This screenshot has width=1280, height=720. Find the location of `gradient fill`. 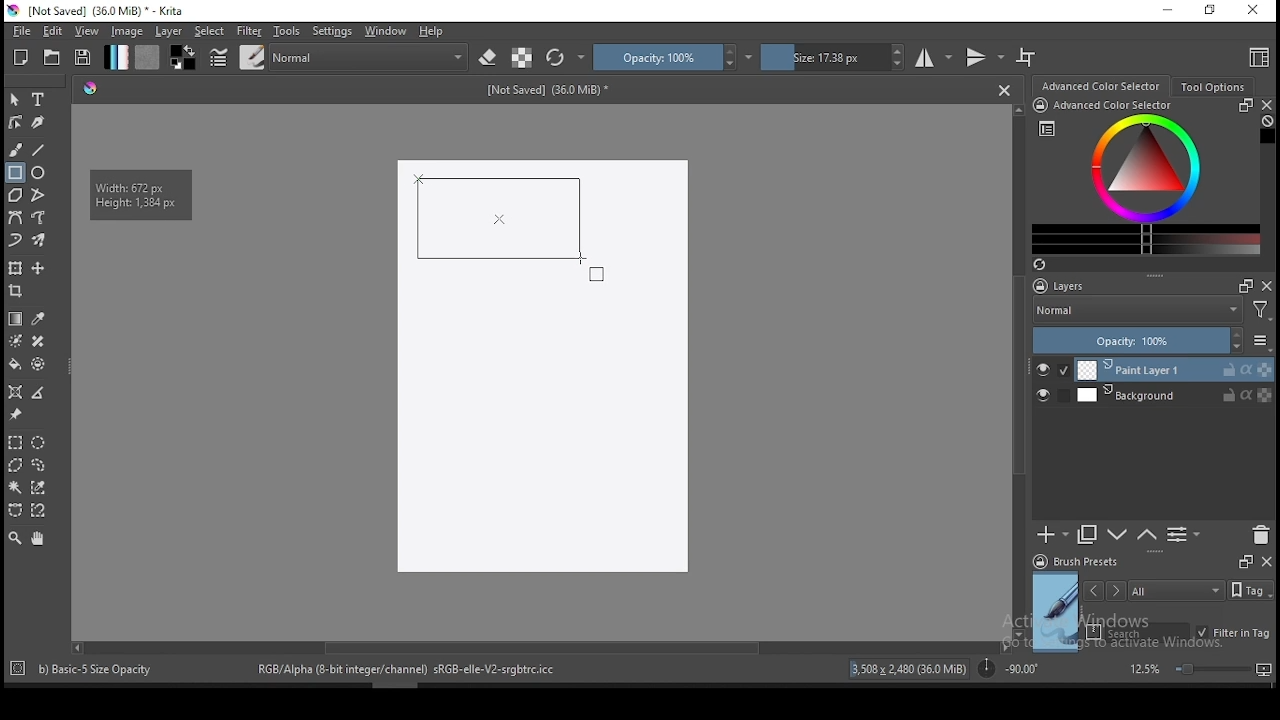

gradient fill is located at coordinates (116, 57).